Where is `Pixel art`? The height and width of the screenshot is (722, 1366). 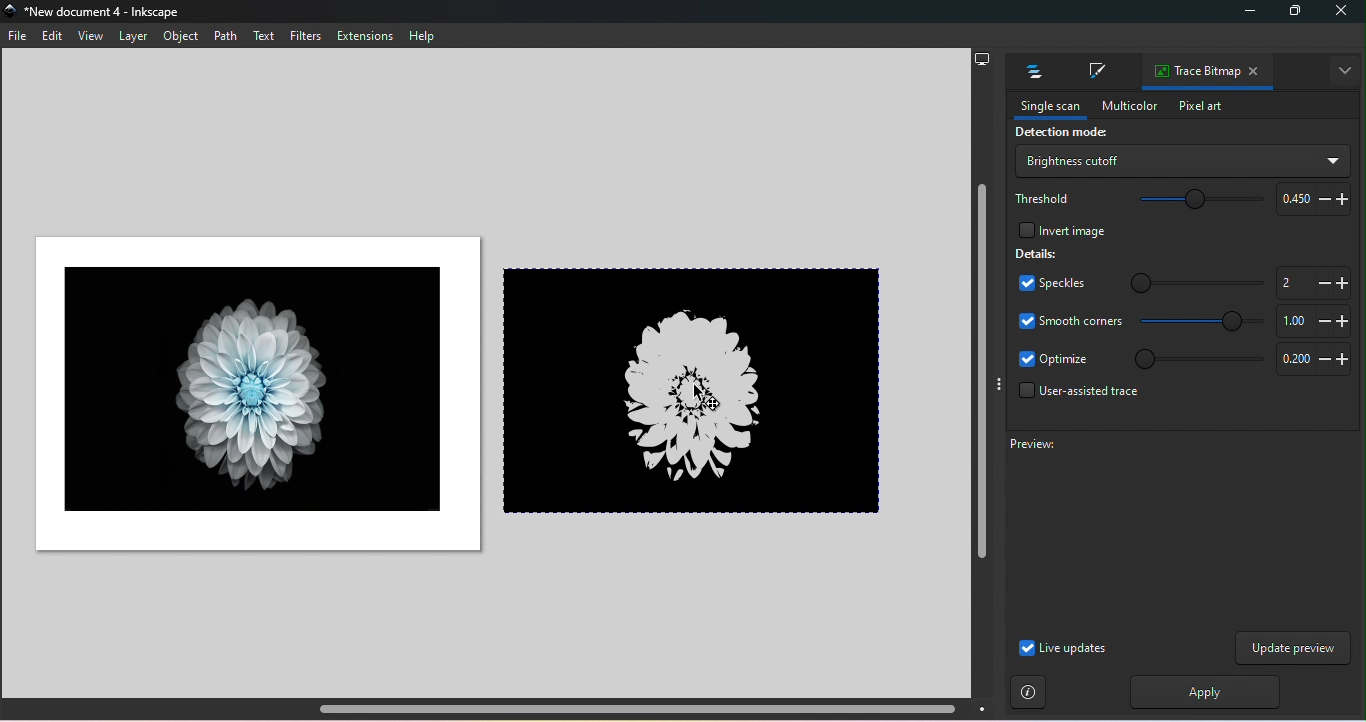
Pixel art is located at coordinates (1200, 107).